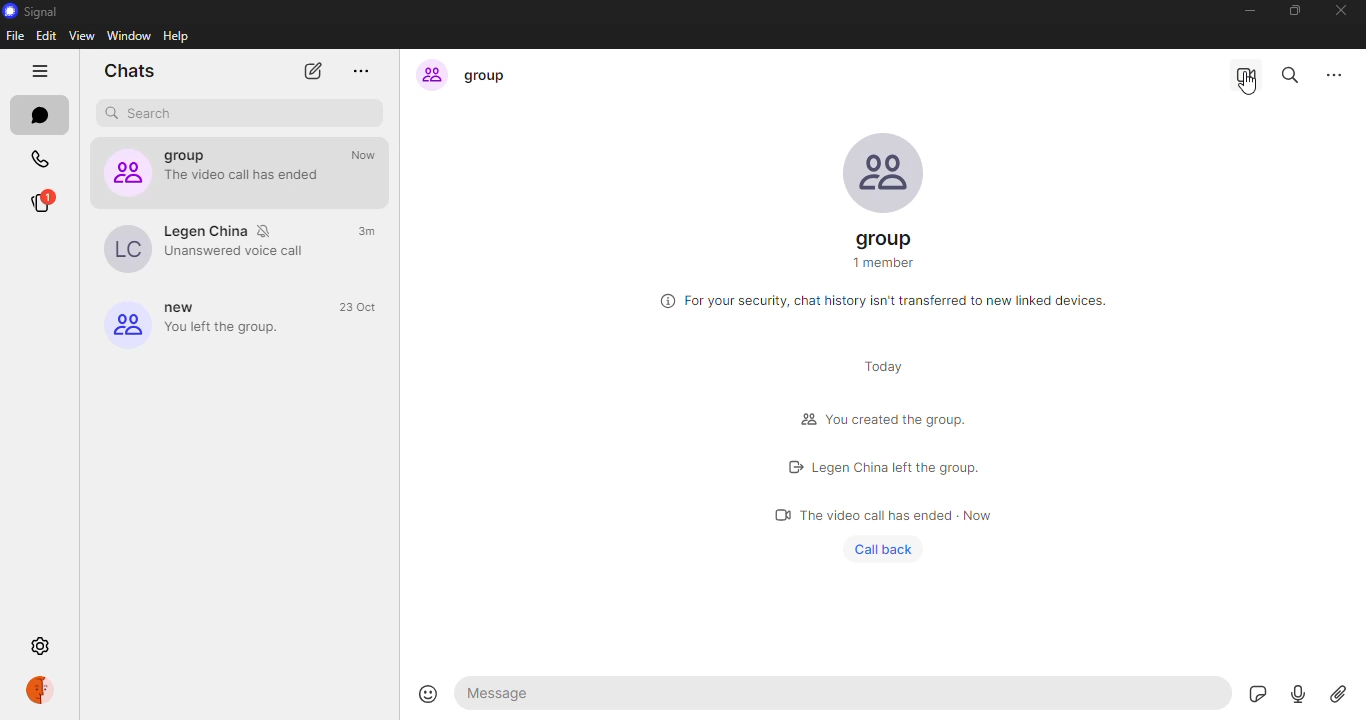  What do you see at coordinates (183, 308) in the screenshot?
I see `new` at bounding box center [183, 308].